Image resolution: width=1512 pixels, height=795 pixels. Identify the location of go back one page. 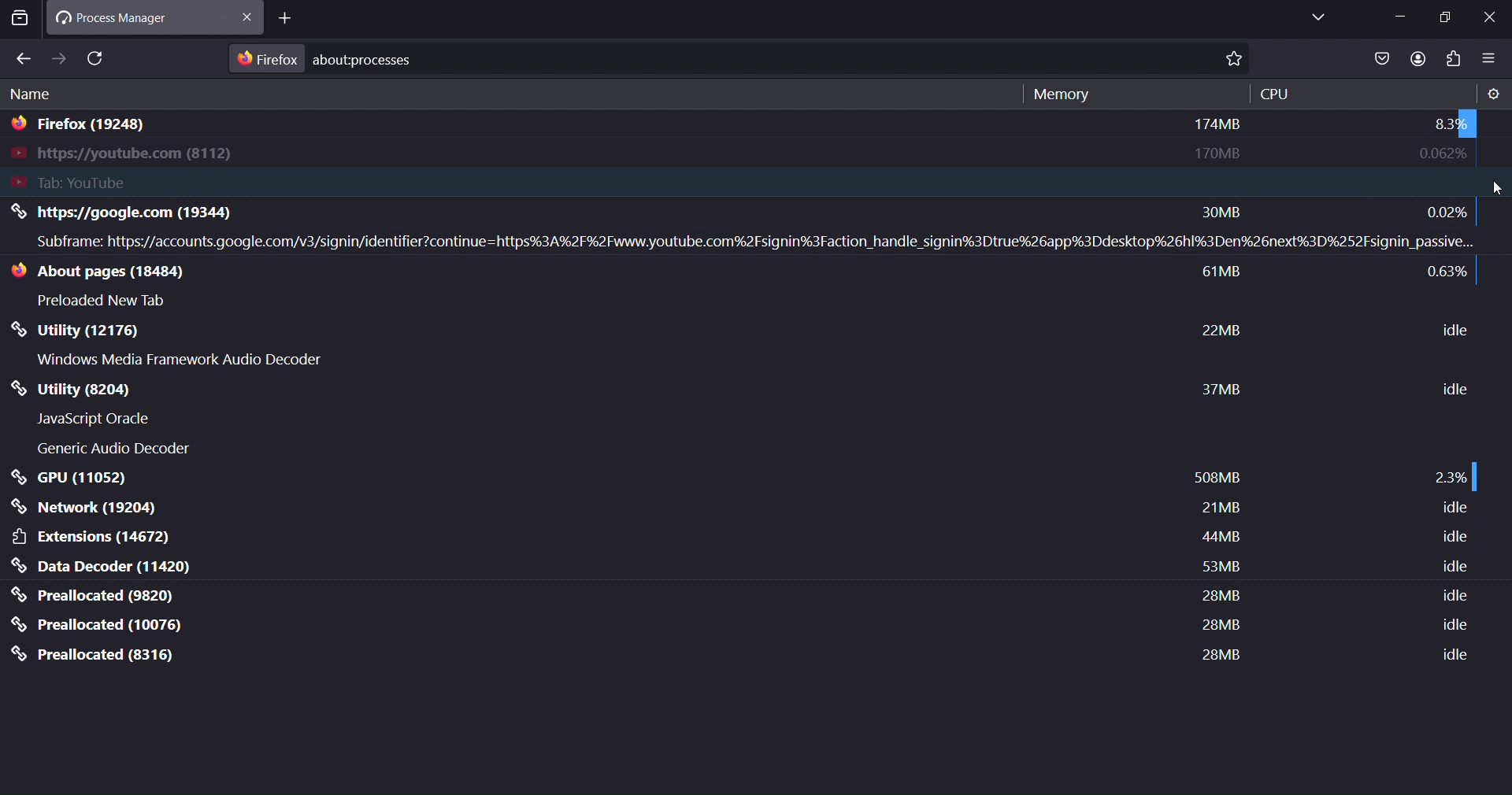
(22, 59).